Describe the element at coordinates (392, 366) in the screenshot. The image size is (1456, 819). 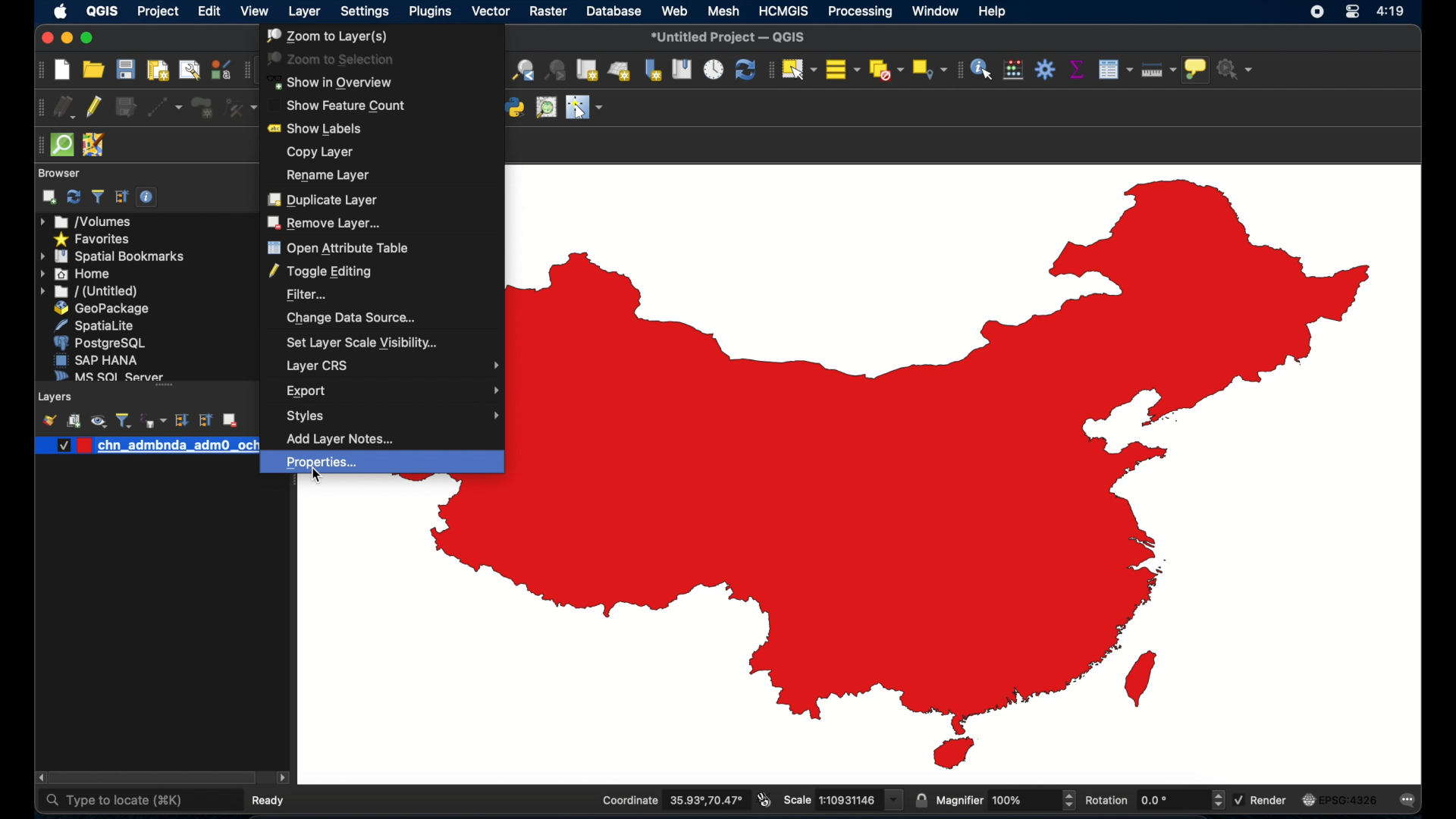
I see `layer crs` at that location.